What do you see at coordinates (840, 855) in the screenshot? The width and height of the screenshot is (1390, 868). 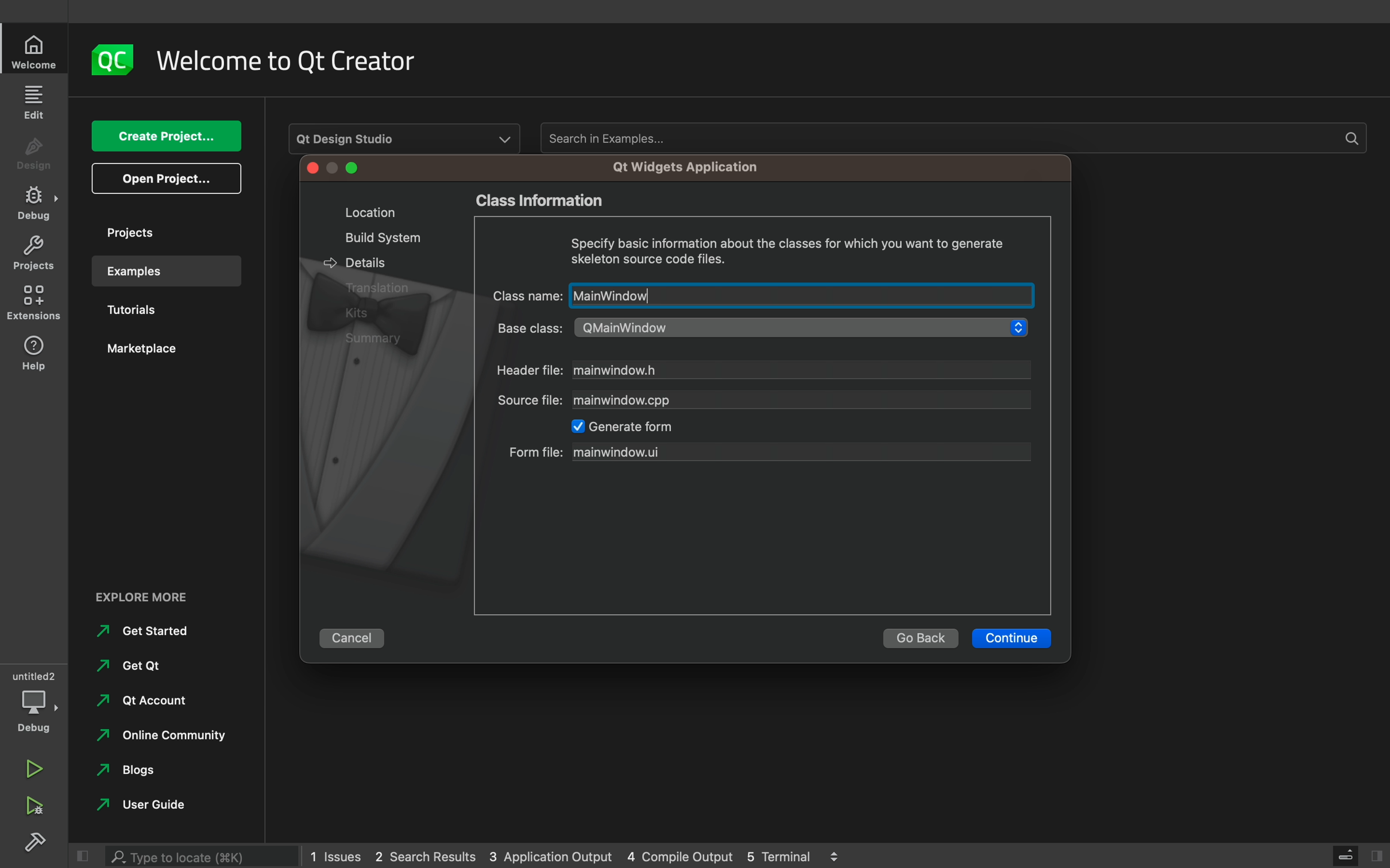 I see `increase/decrease arrows` at bounding box center [840, 855].